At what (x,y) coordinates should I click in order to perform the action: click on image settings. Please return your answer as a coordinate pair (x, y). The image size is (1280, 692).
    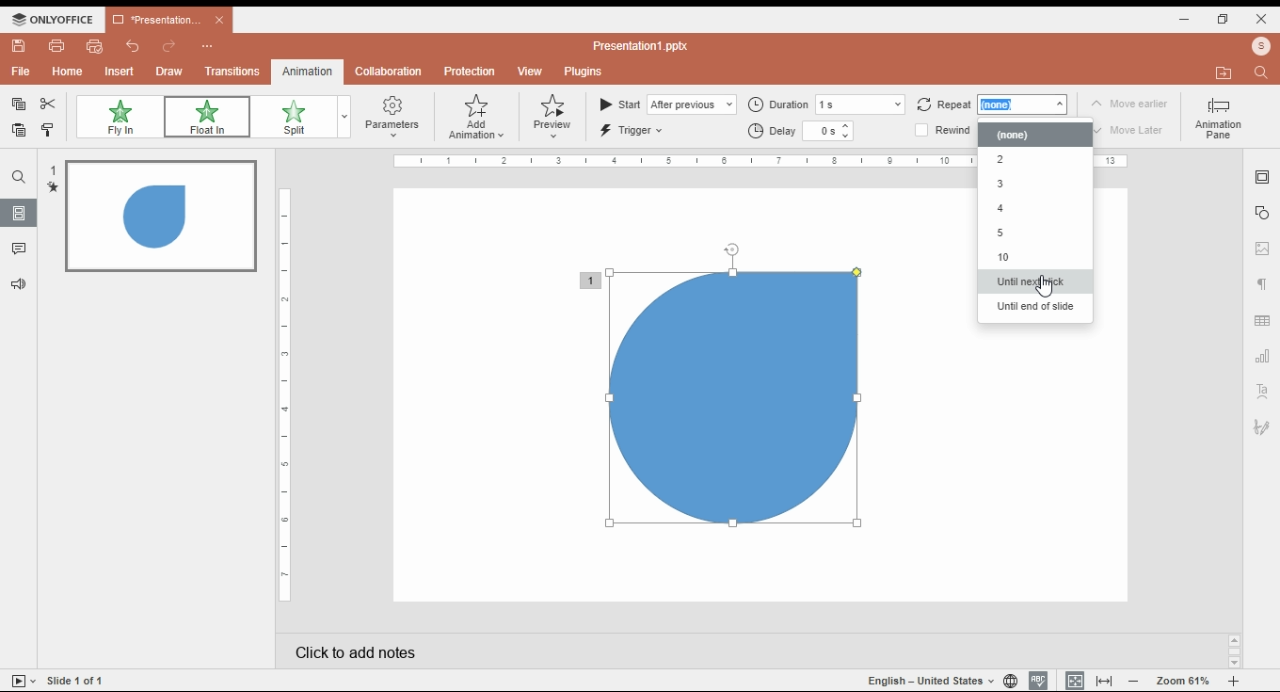
    Looking at the image, I should click on (1262, 248).